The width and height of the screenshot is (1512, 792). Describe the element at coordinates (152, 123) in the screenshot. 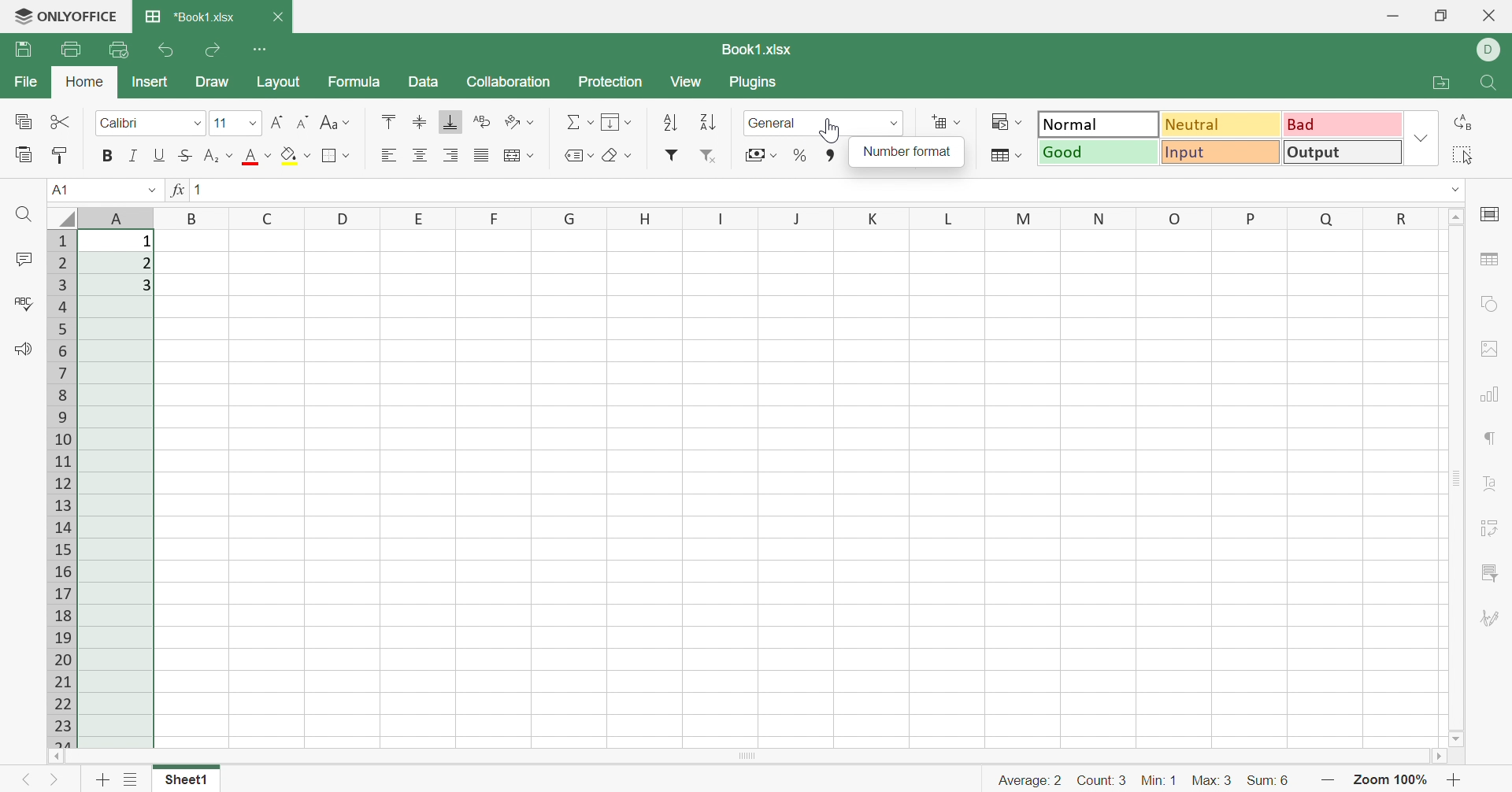

I see `Font` at that location.